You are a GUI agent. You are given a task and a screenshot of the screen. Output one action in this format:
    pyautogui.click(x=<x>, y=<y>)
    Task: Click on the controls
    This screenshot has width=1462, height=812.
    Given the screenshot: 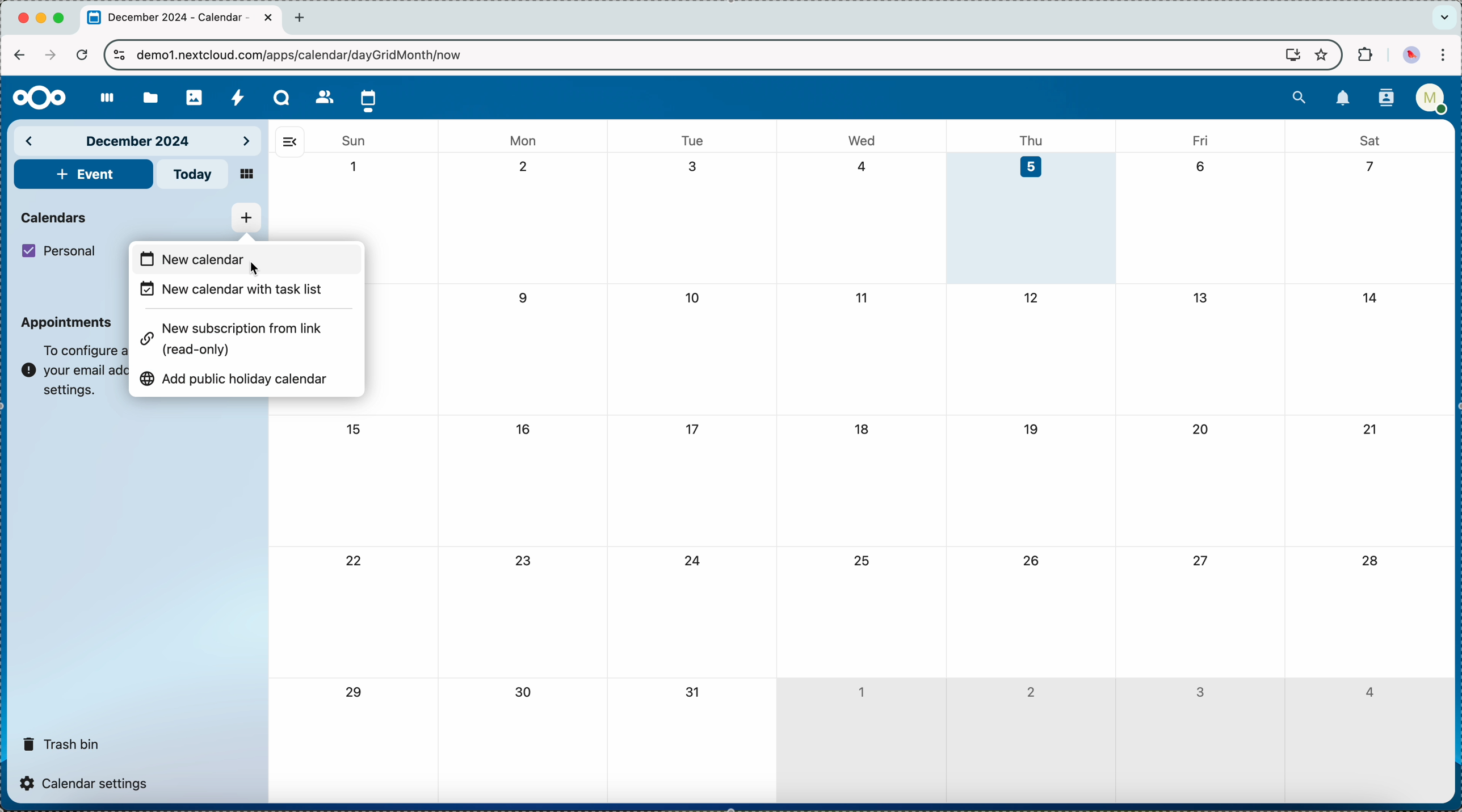 What is the action you would take?
    pyautogui.click(x=120, y=55)
    